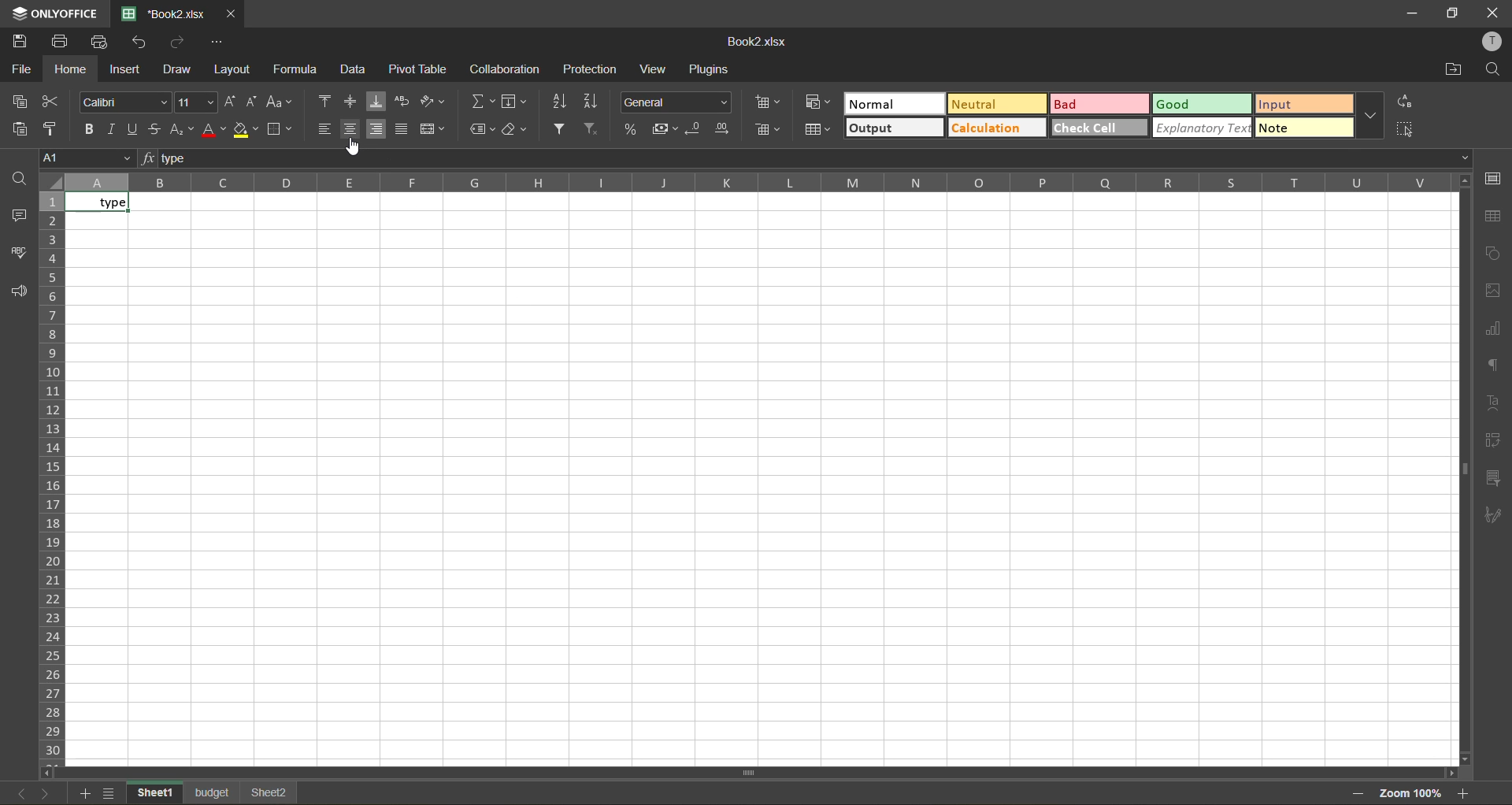  What do you see at coordinates (1492, 481) in the screenshot?
I see `slicer` at bounding box center [1492, 481].